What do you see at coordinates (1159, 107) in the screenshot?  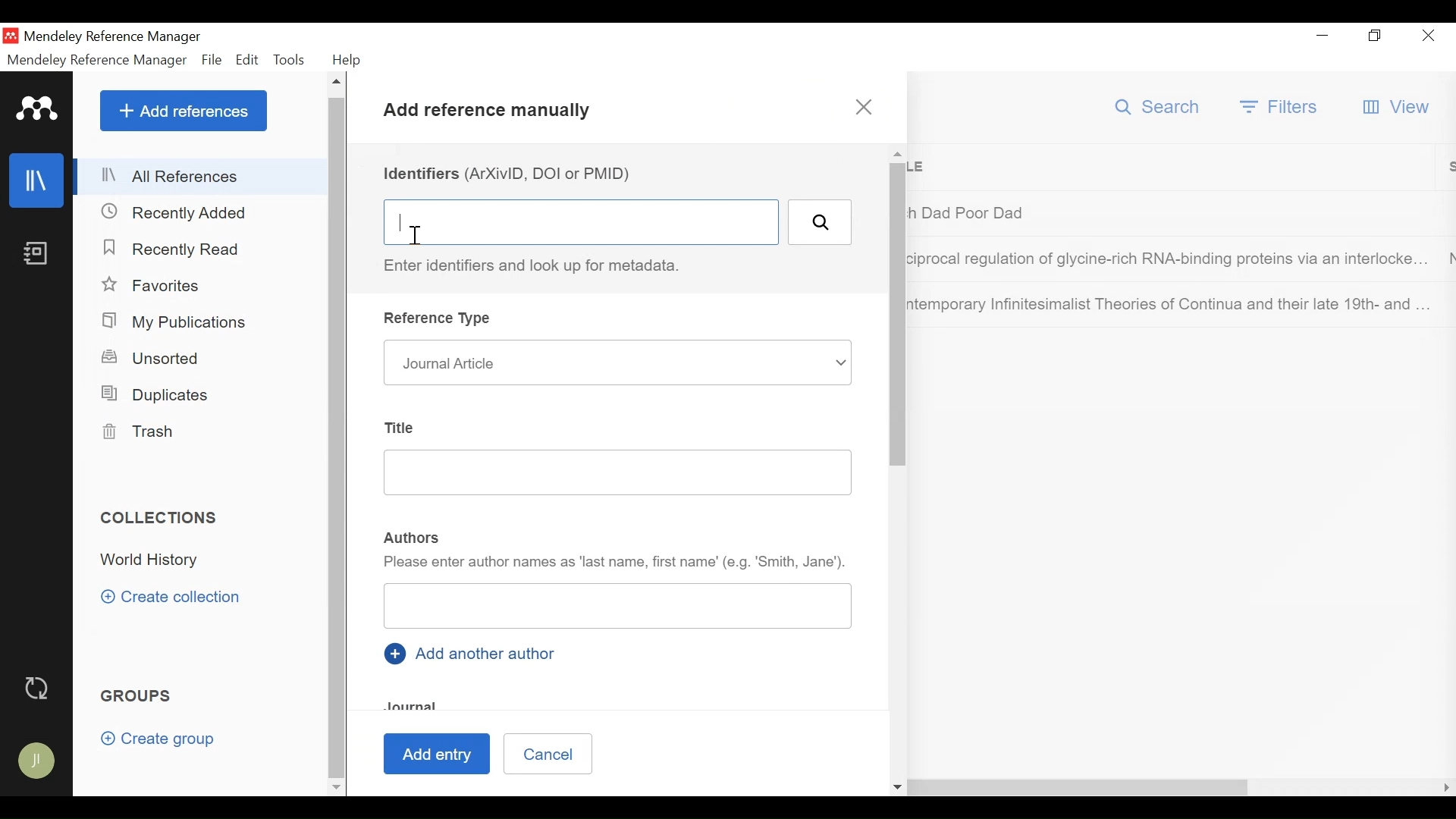 I see `Search ` at bounding box center [1159, 107].